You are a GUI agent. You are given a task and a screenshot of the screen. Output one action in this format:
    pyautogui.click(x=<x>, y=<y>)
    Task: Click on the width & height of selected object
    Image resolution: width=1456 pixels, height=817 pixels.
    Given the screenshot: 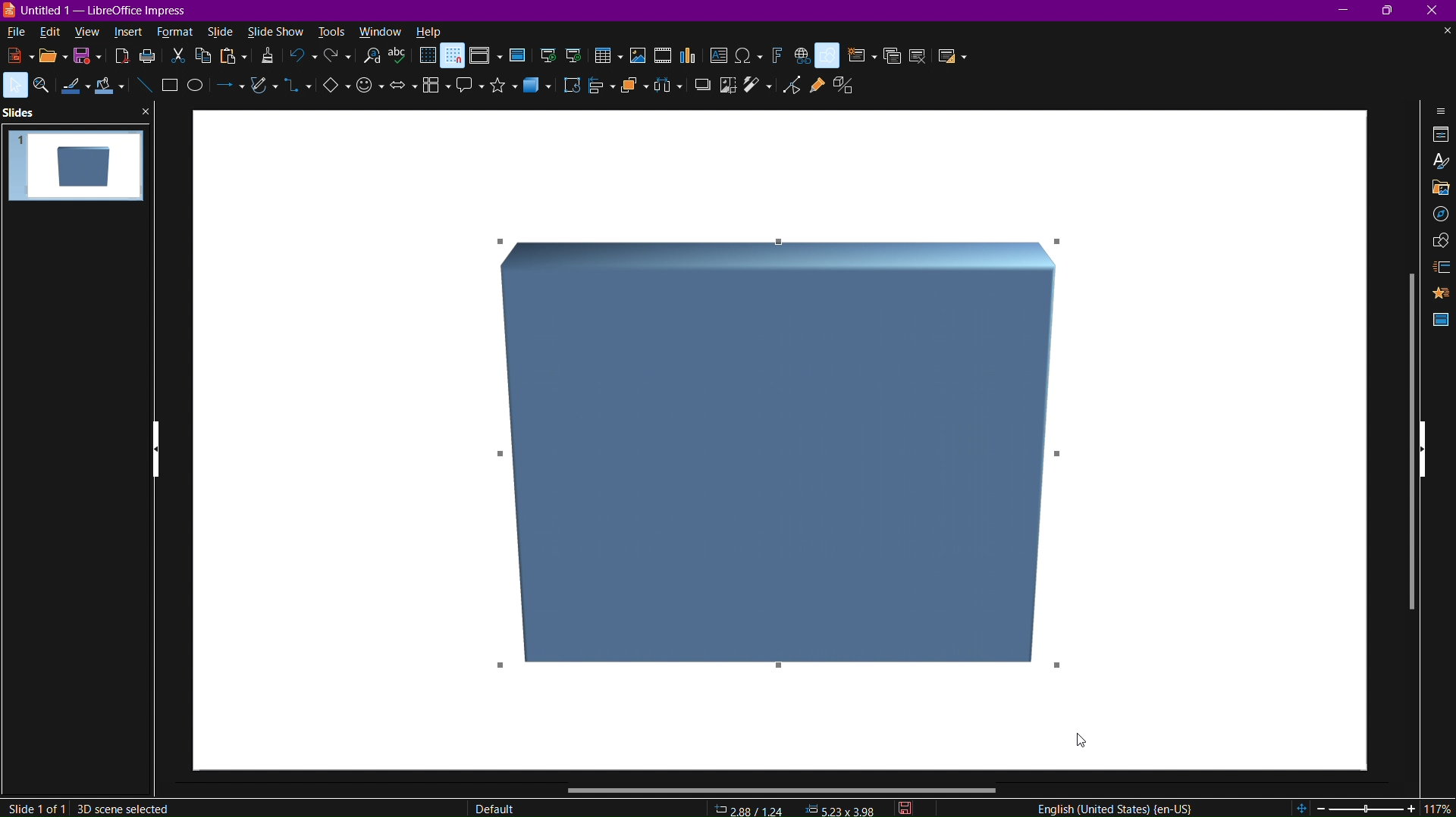 What is the action you would take?
    pyautogui.click(x=841, y=809)
    